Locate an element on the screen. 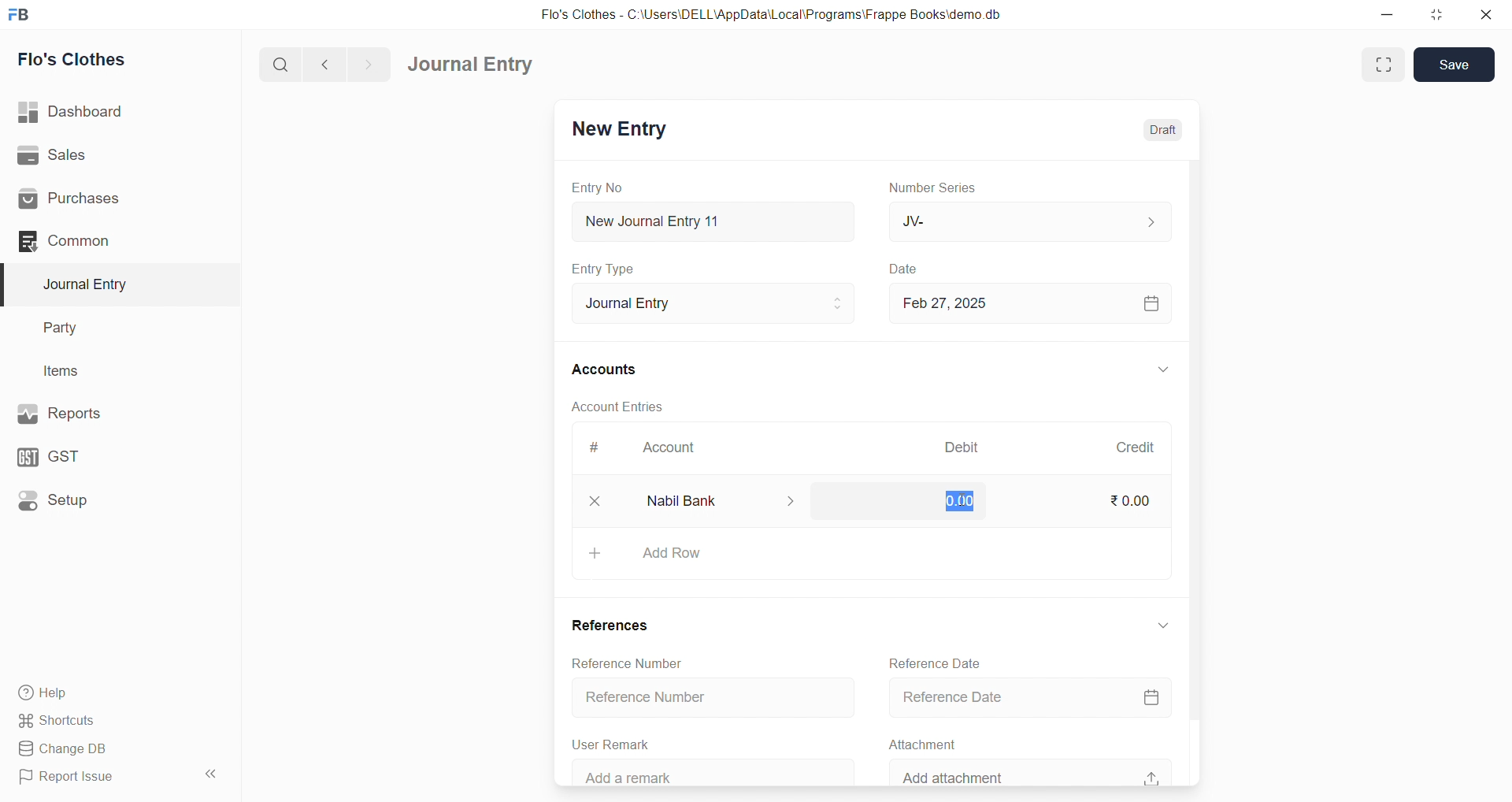 The image size is (1512, 802). | Dashboard is located at coordinates (86, 113).